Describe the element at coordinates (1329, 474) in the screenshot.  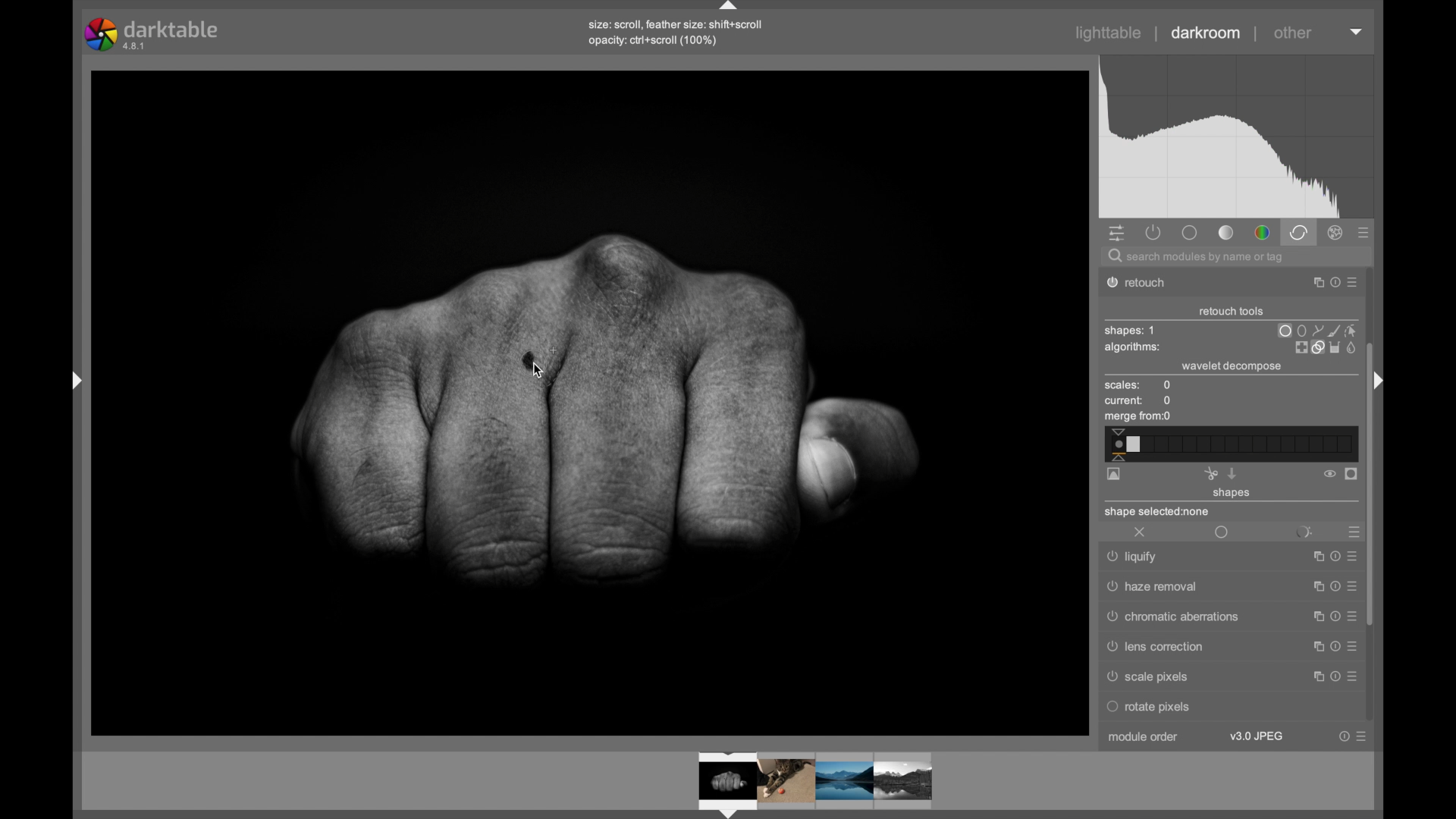
I see `switch off mask` at that location.